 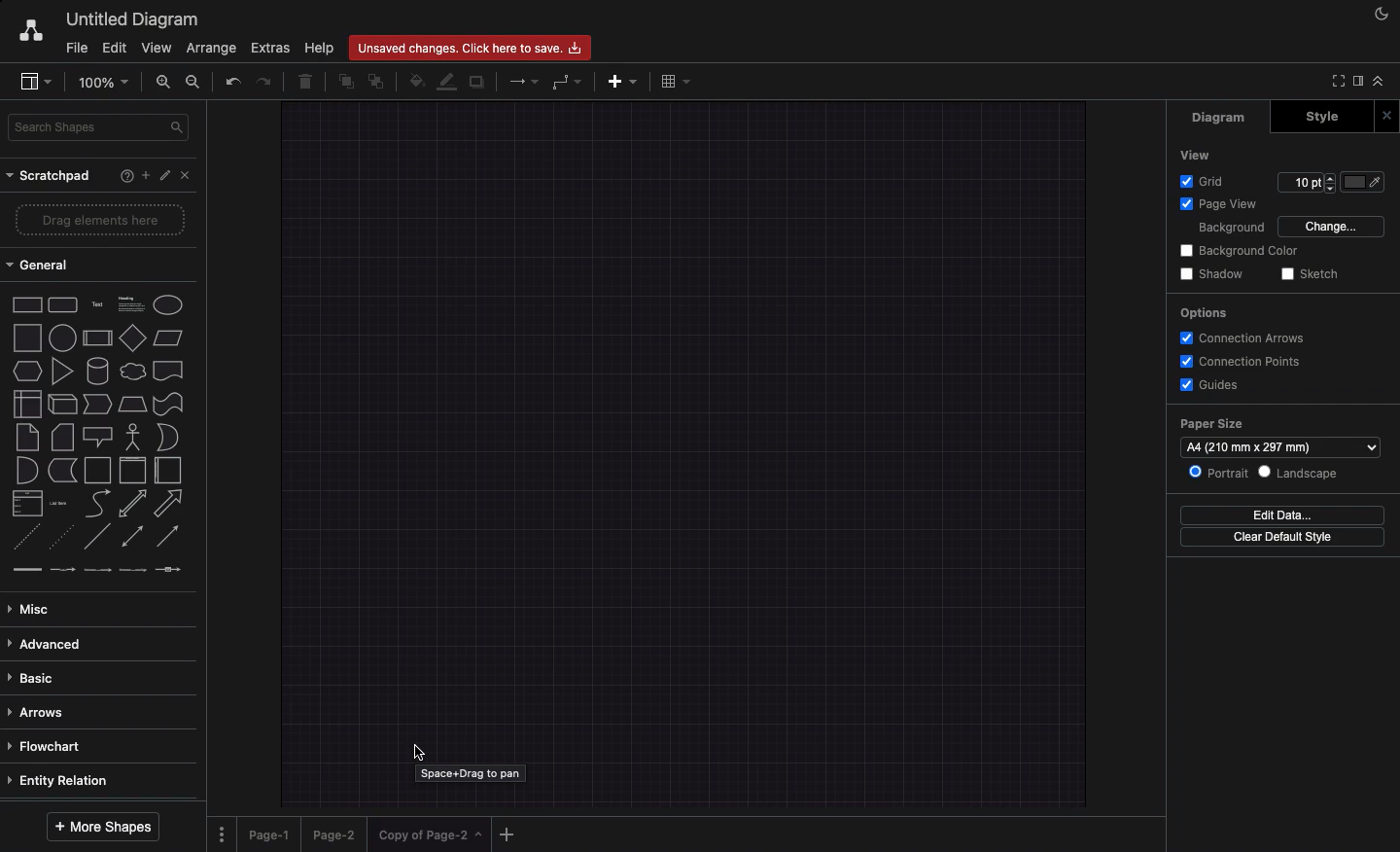 What do you see at coordinates (415, 82) in the screenshot?
I see `Fill color` at bounding box center [415, 82].